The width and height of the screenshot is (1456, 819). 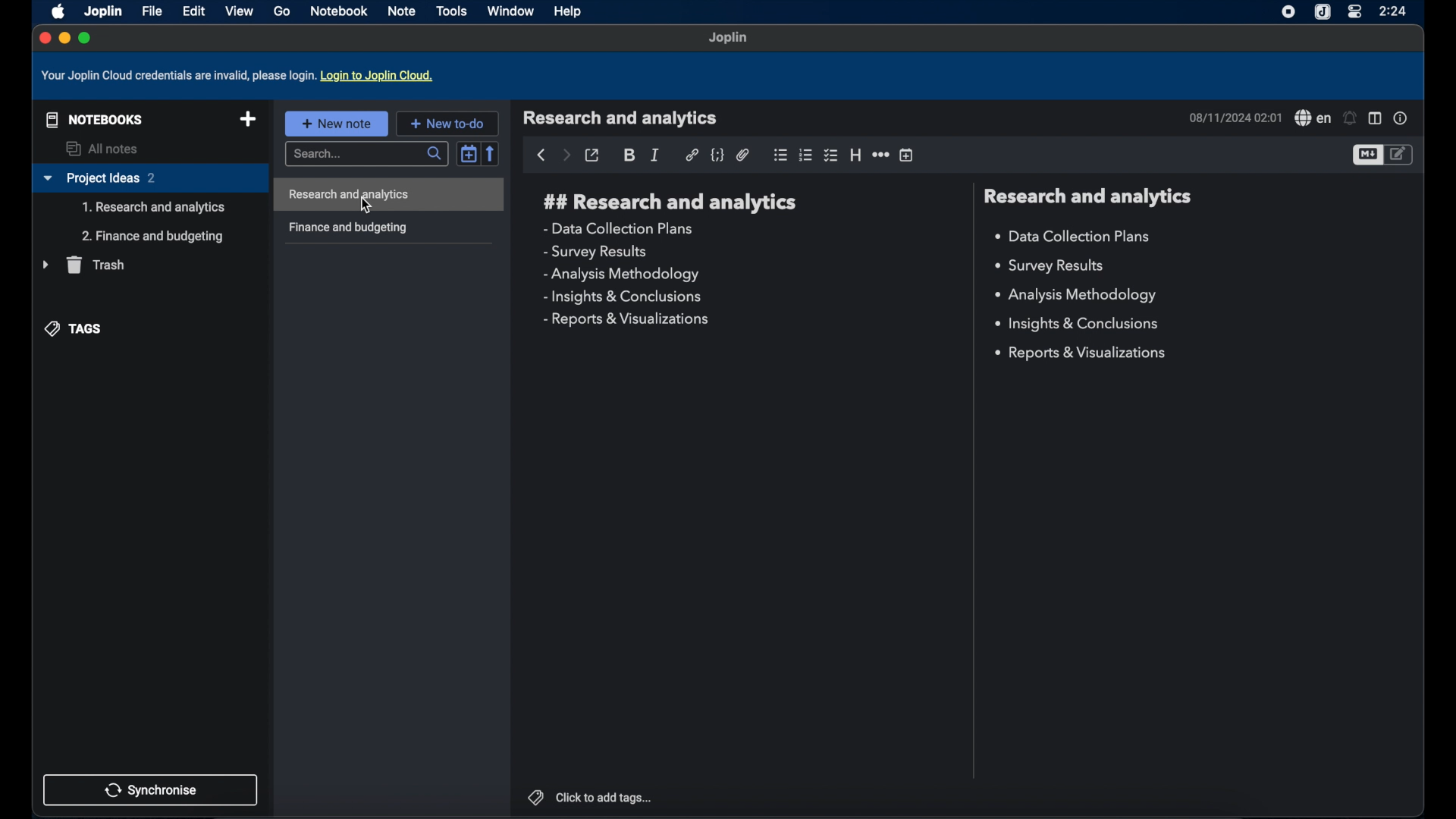 I want to click on all notes, so click(x=104, y=149).